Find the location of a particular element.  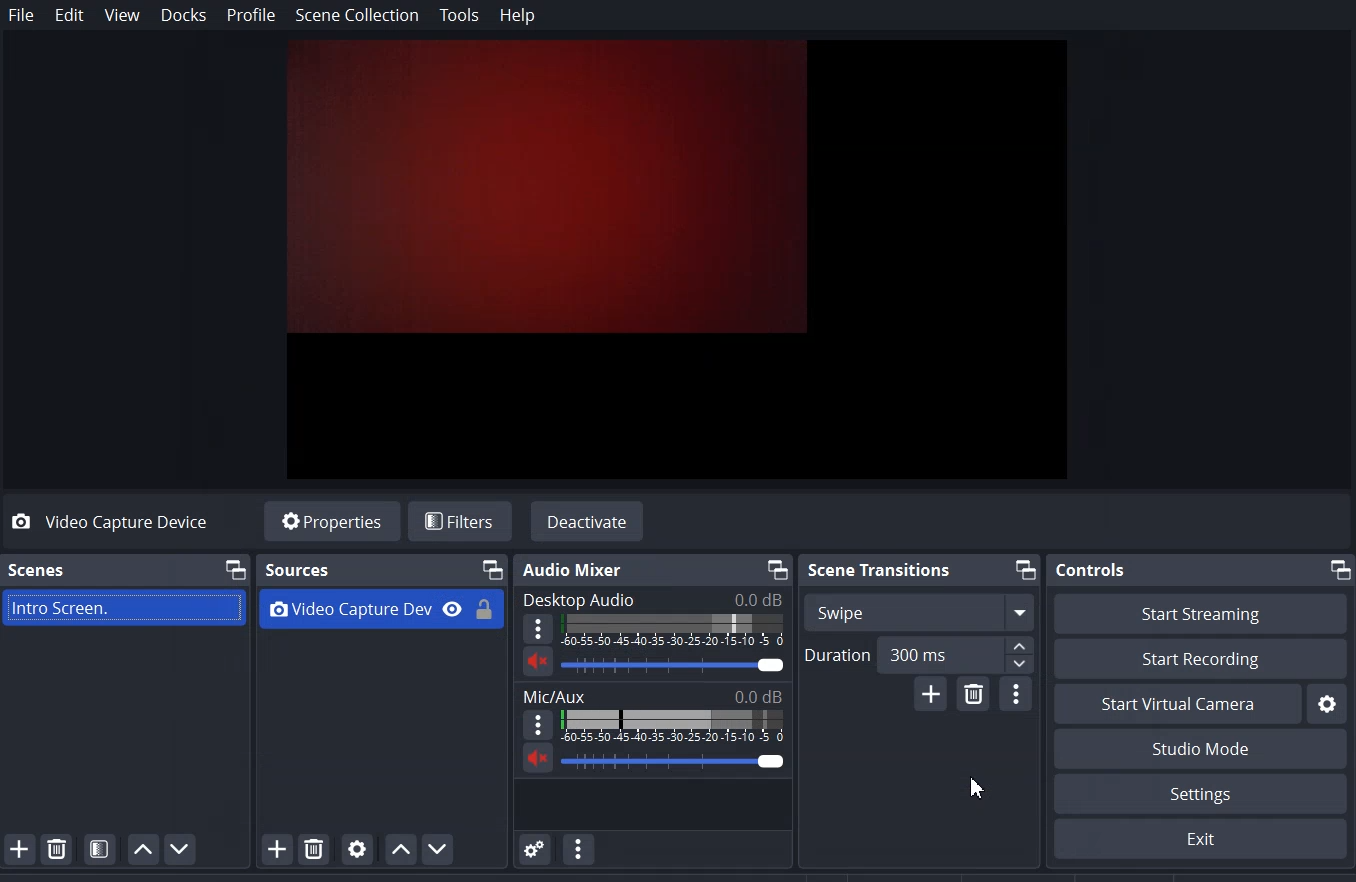

Settings is located at coordinates (1327, 703).